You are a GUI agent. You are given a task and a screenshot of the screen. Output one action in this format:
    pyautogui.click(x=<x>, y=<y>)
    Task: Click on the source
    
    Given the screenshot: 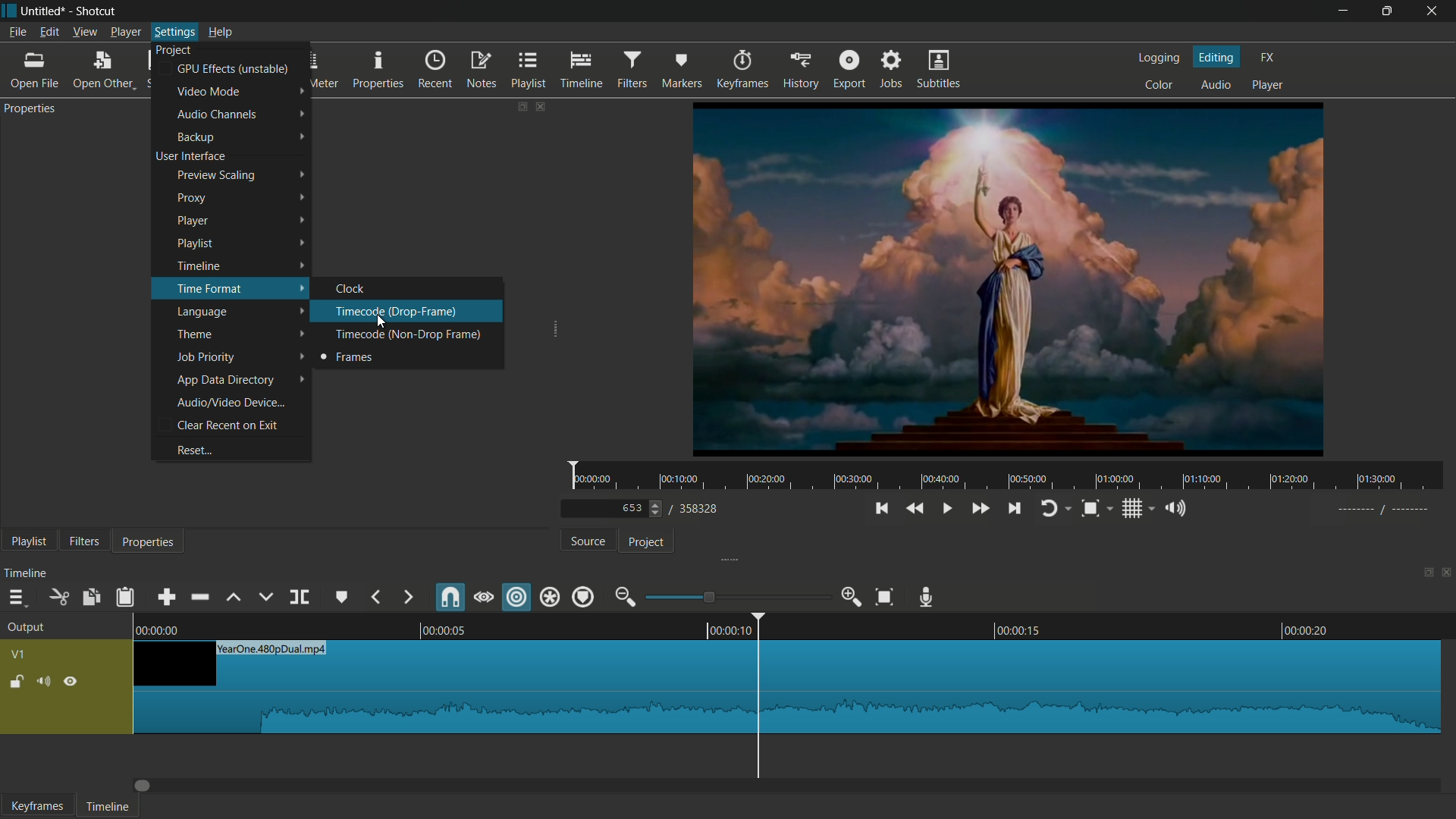 What is the action you would take?
    pyautogui.click(x=586, y=541)
    